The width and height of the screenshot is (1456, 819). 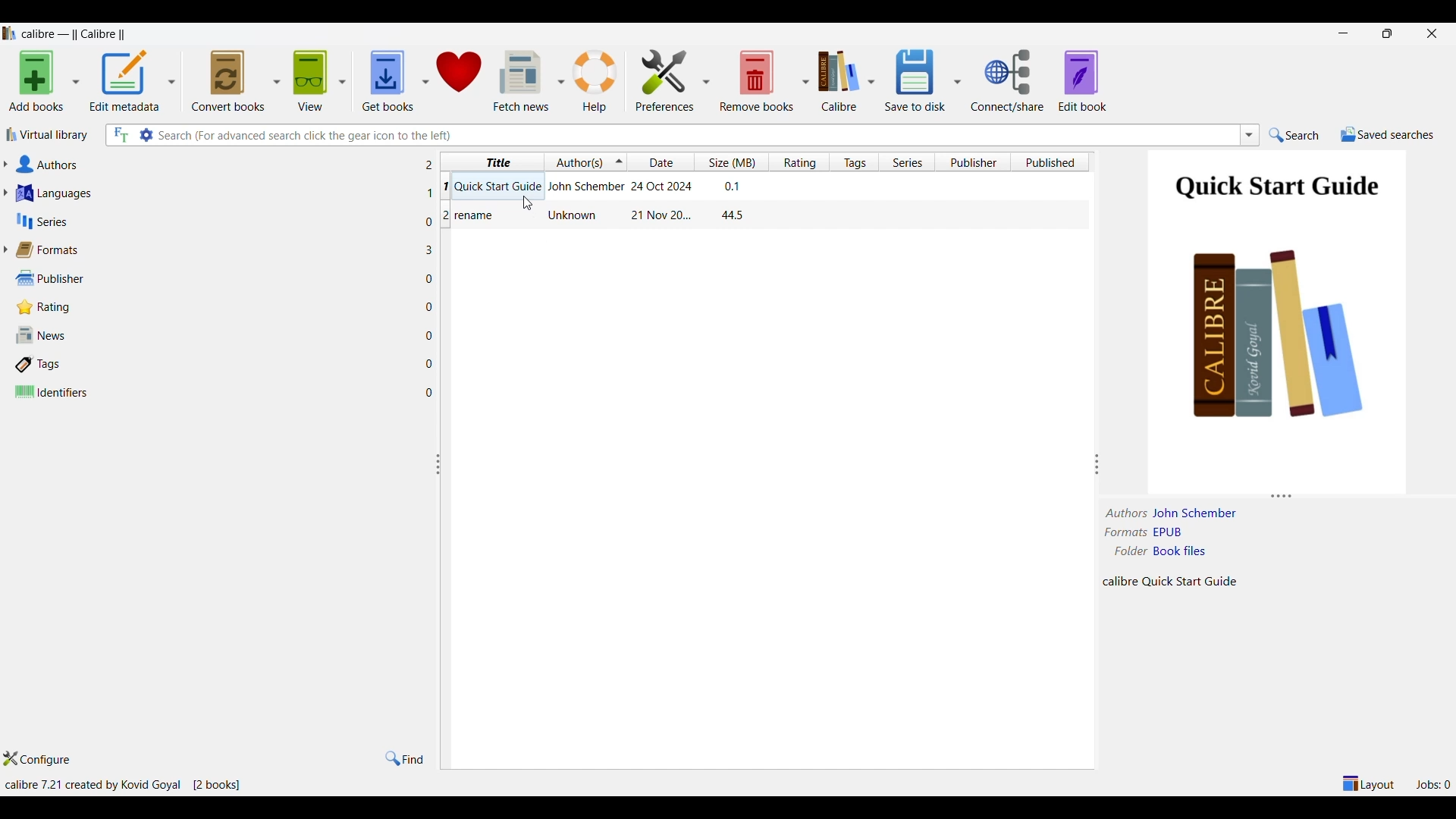 What do you see at coordinates (443, 563) in the screenshot?
I see `Change width of panels attached ` at bounding box center [443, 563].